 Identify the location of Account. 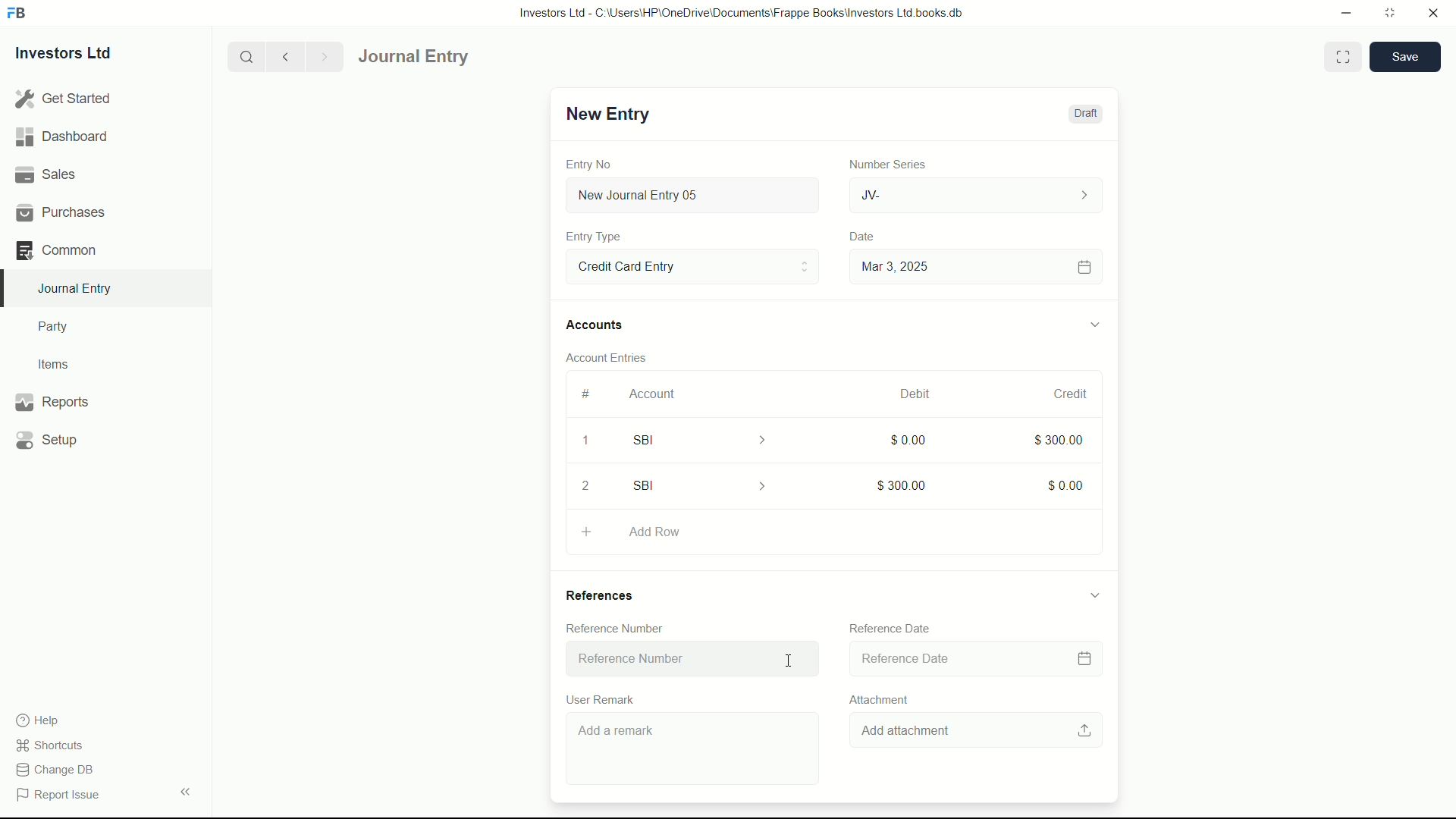
(653, 394).